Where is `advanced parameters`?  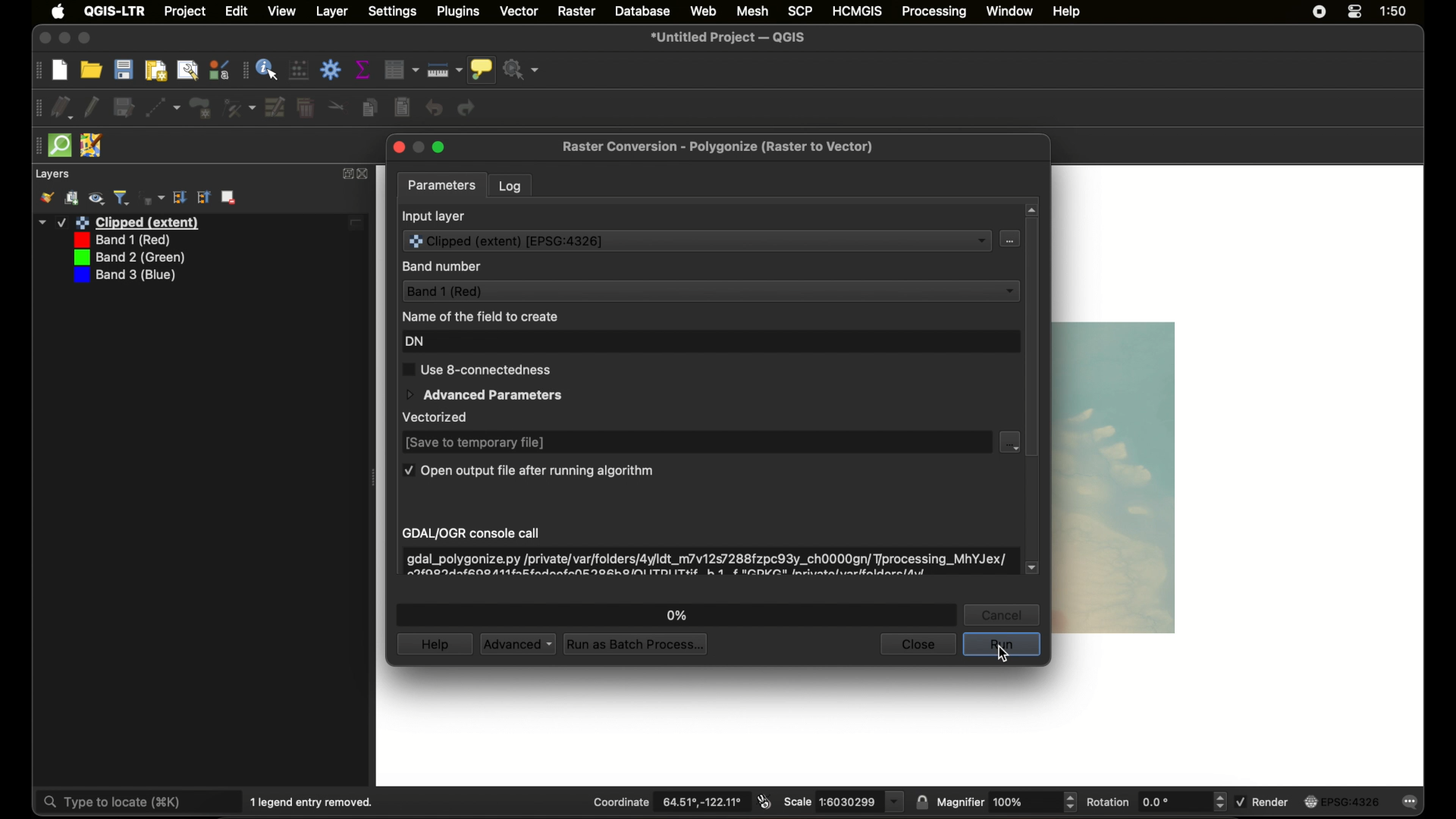 advanced parameters is located at coordinates (483, 396).